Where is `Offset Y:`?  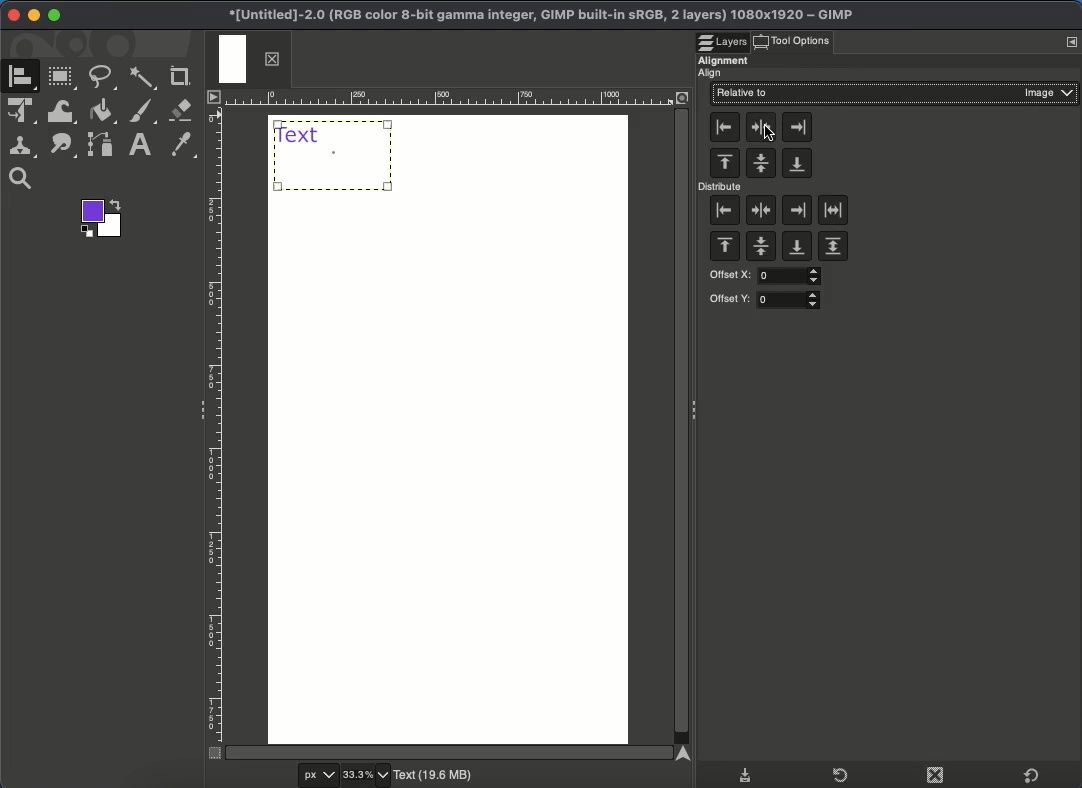 Offset Y: is located at coordinates (766, 300).